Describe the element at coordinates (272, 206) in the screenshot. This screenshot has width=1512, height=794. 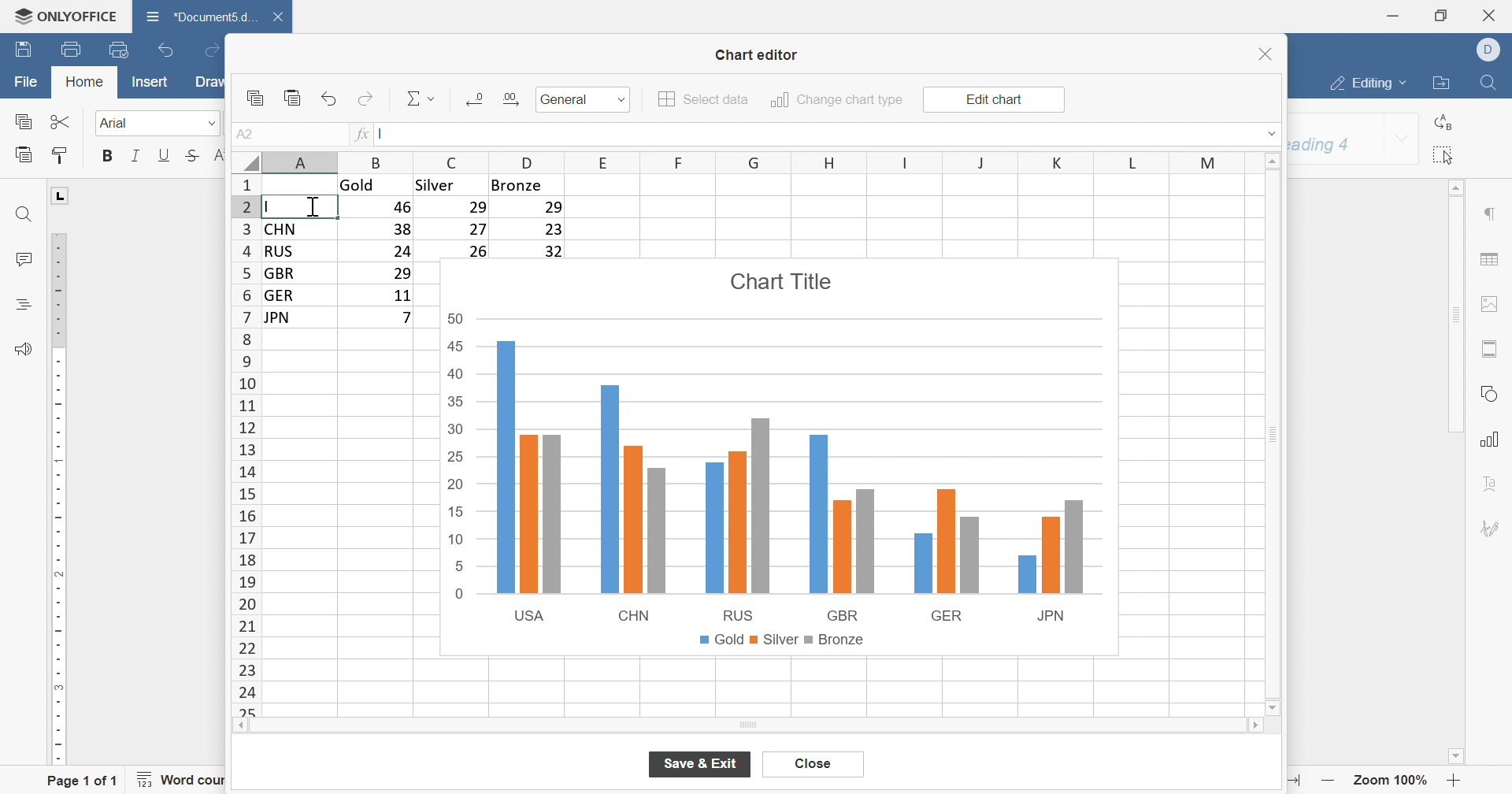
I see `Typing cursor` at that location.